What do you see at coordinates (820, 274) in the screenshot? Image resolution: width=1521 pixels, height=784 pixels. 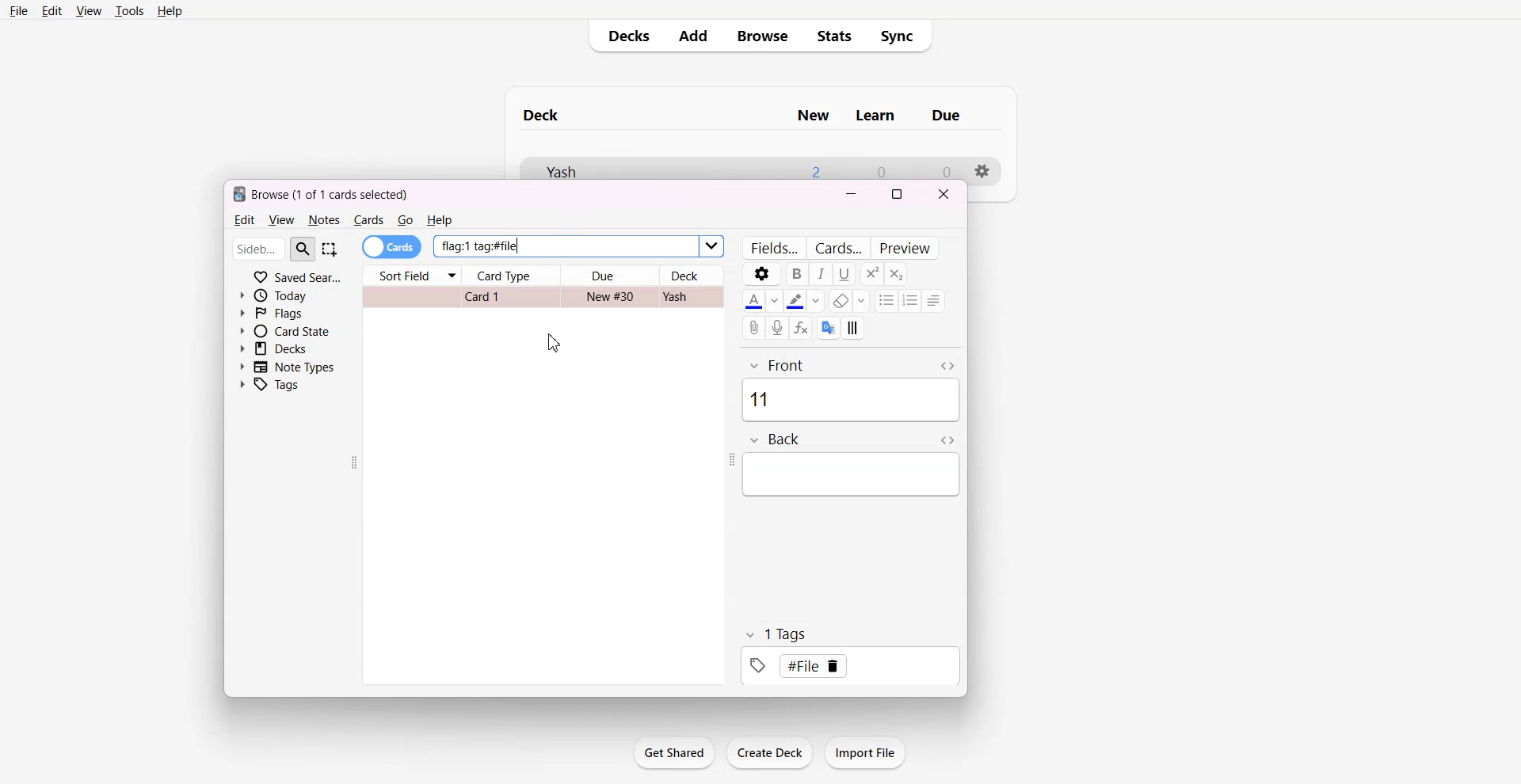 I see `Italic` at bounding box center [820, 274].